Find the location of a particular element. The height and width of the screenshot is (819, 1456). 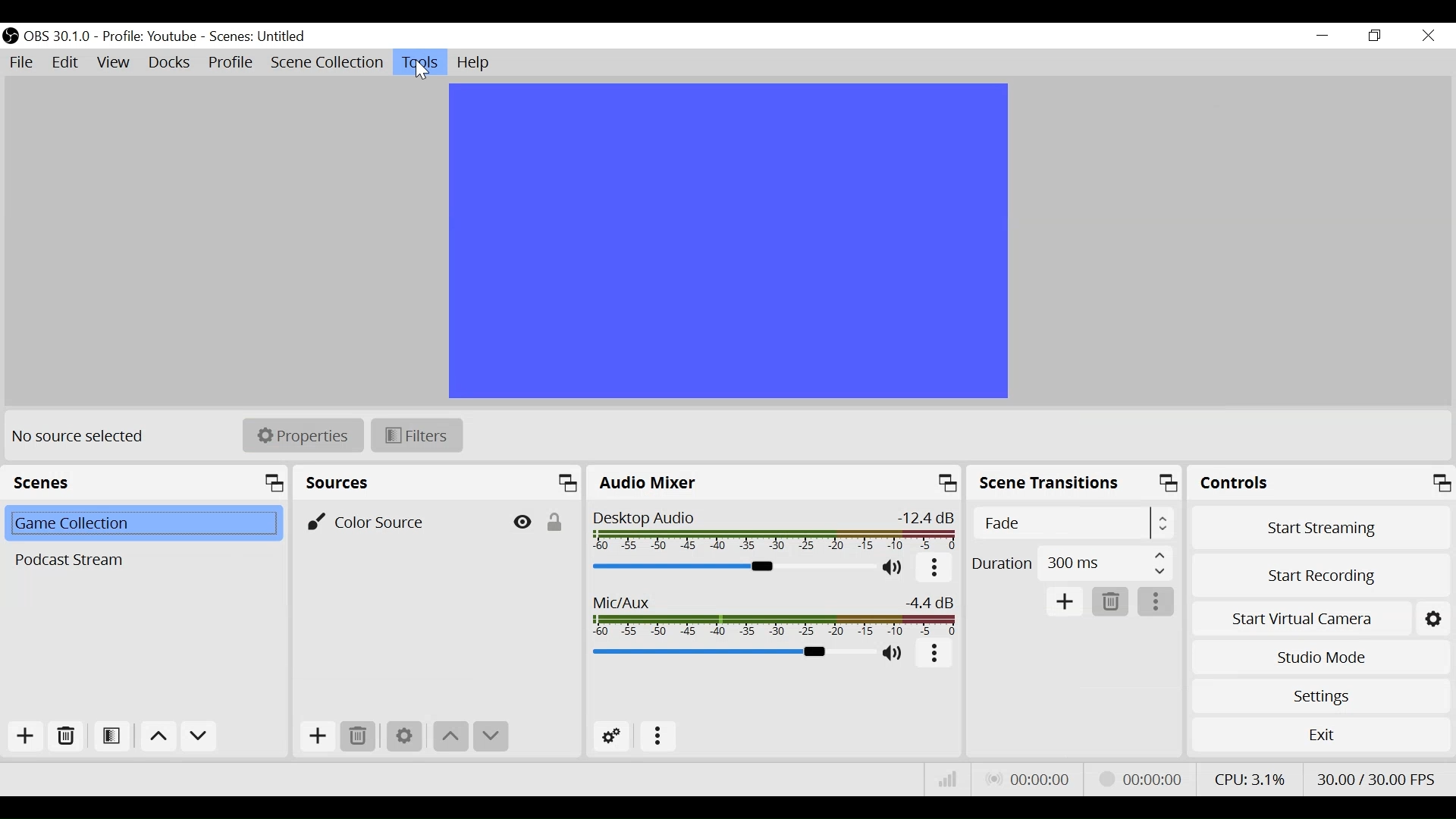

Add is located at coordinates (1065, 602).